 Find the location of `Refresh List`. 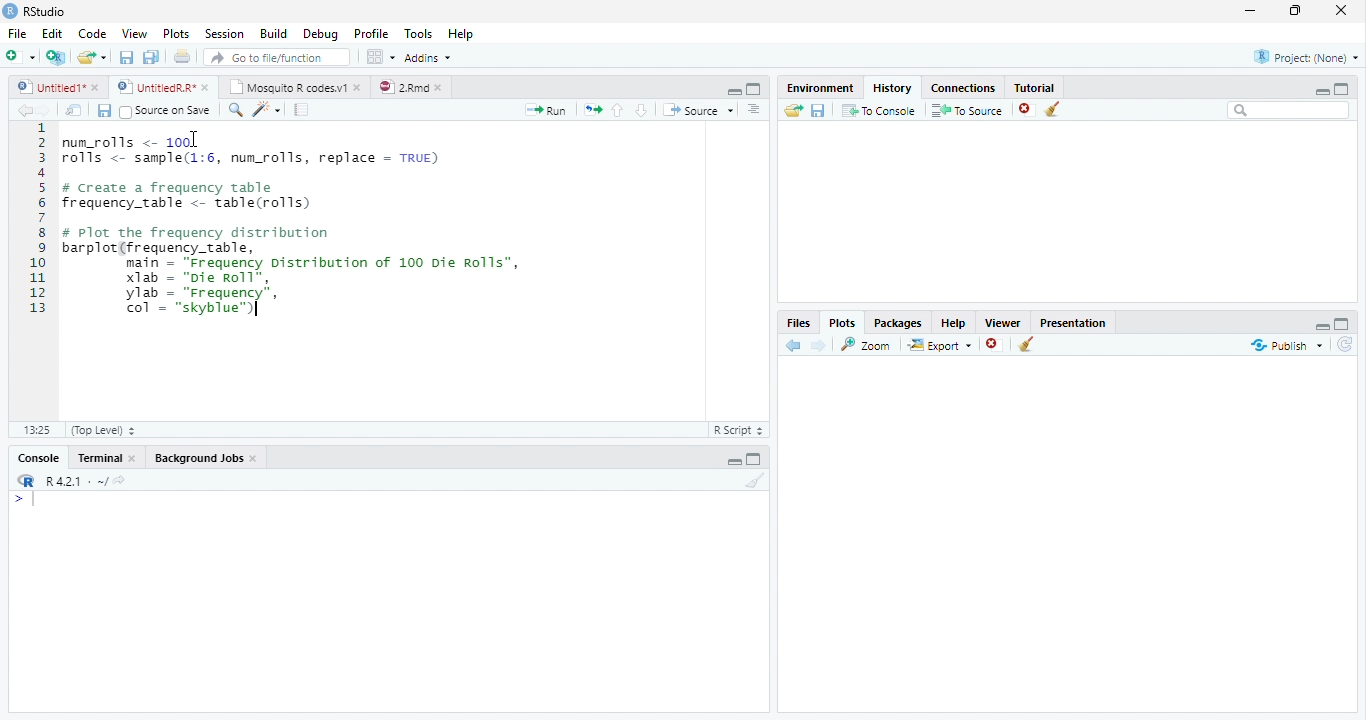

Refresh List is located at coordinates (1344, 345).